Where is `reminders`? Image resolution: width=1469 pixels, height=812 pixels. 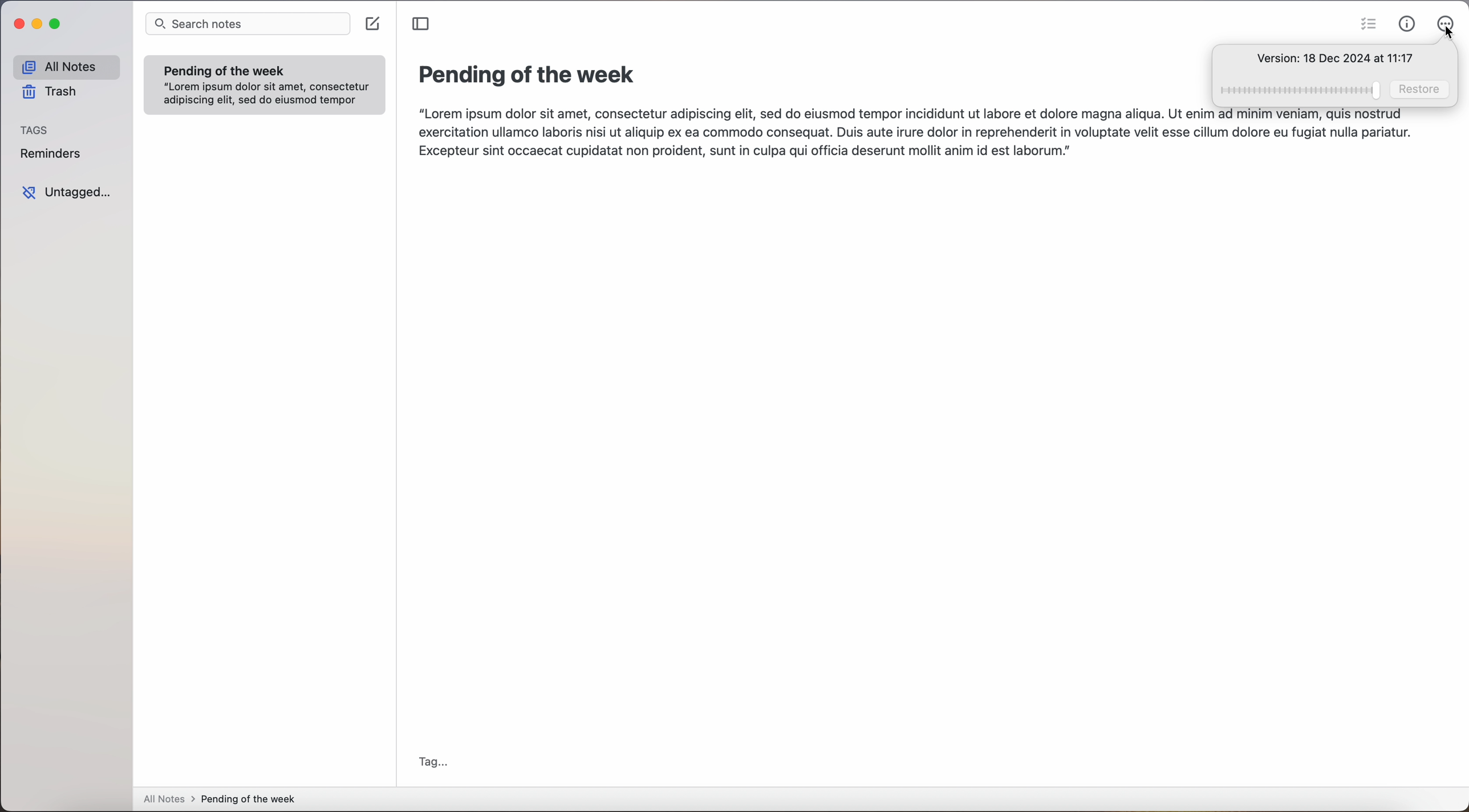
reminders is located at coordinates (53, 155).